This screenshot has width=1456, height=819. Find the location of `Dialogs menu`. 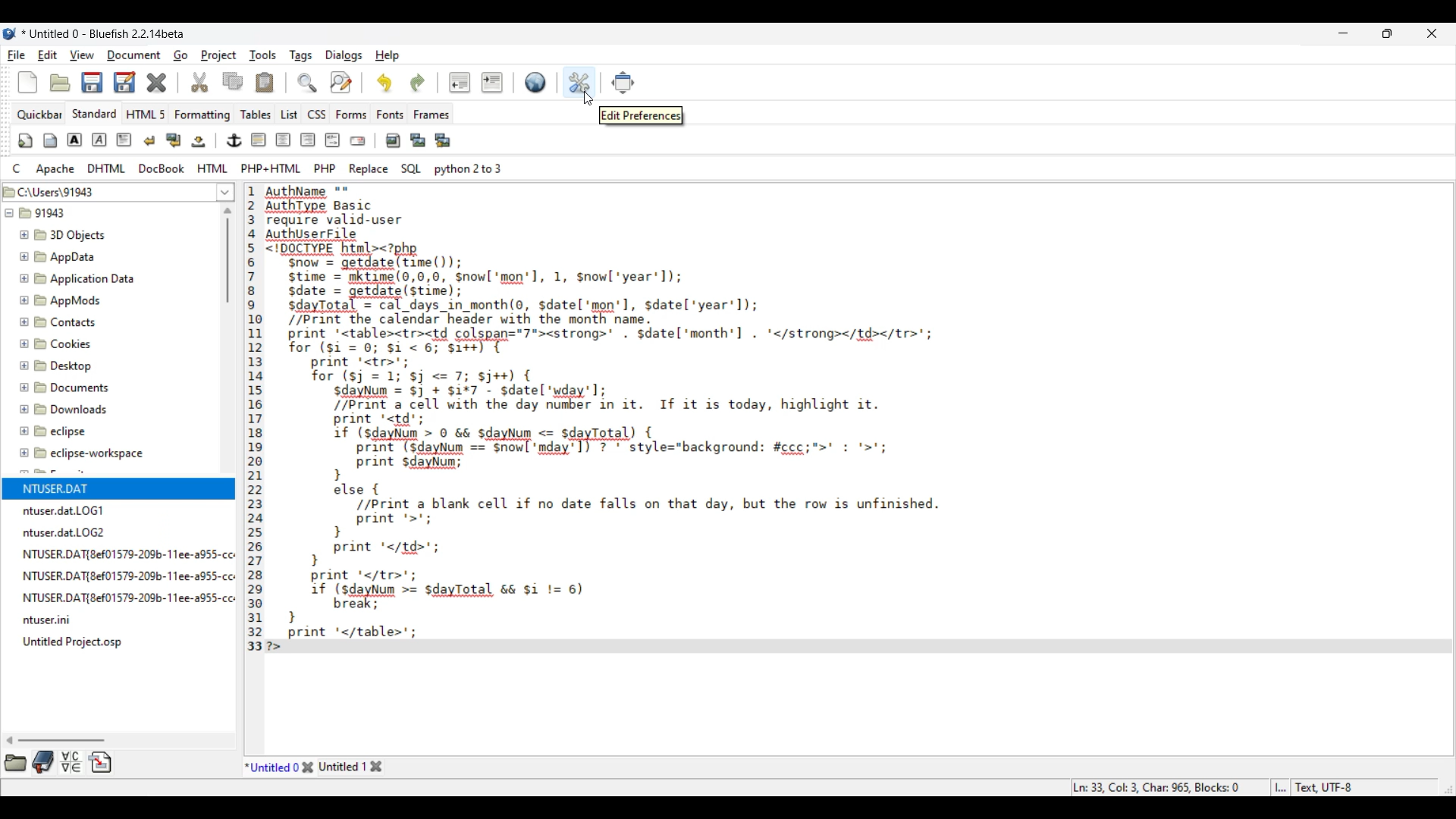

Dialogs menu is located at coordinates (344, 55).